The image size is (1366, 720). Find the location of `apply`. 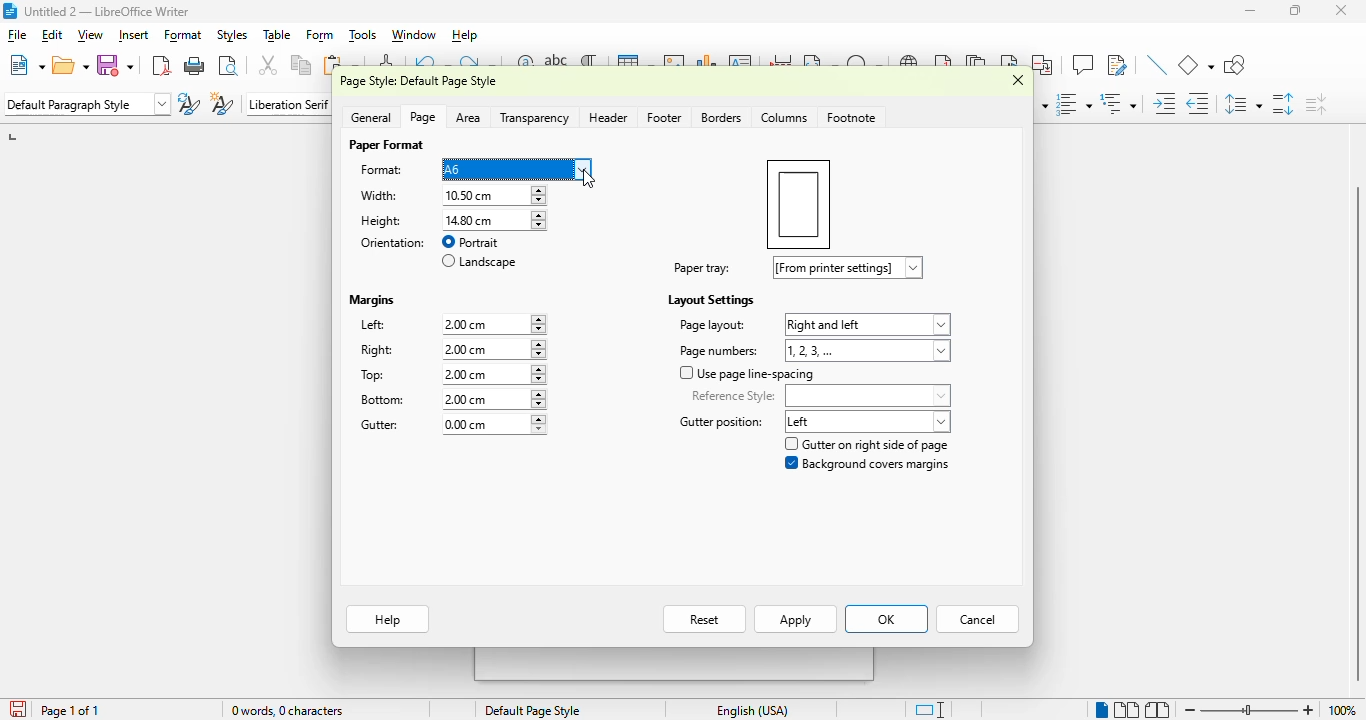

apply is located at coordinates (795, 619).